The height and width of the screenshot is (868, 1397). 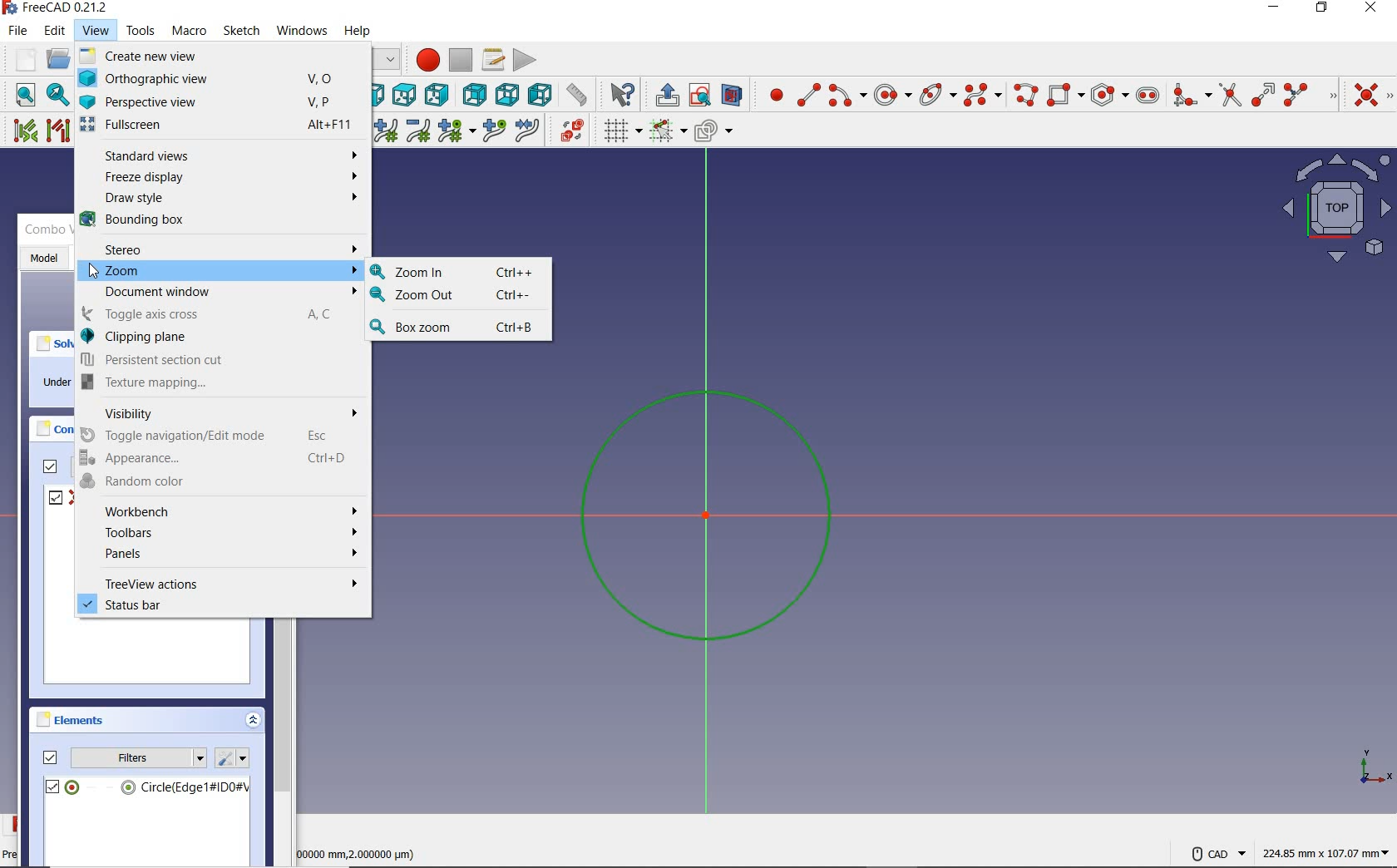 I want to click on system name, so click(x=58, y=10).